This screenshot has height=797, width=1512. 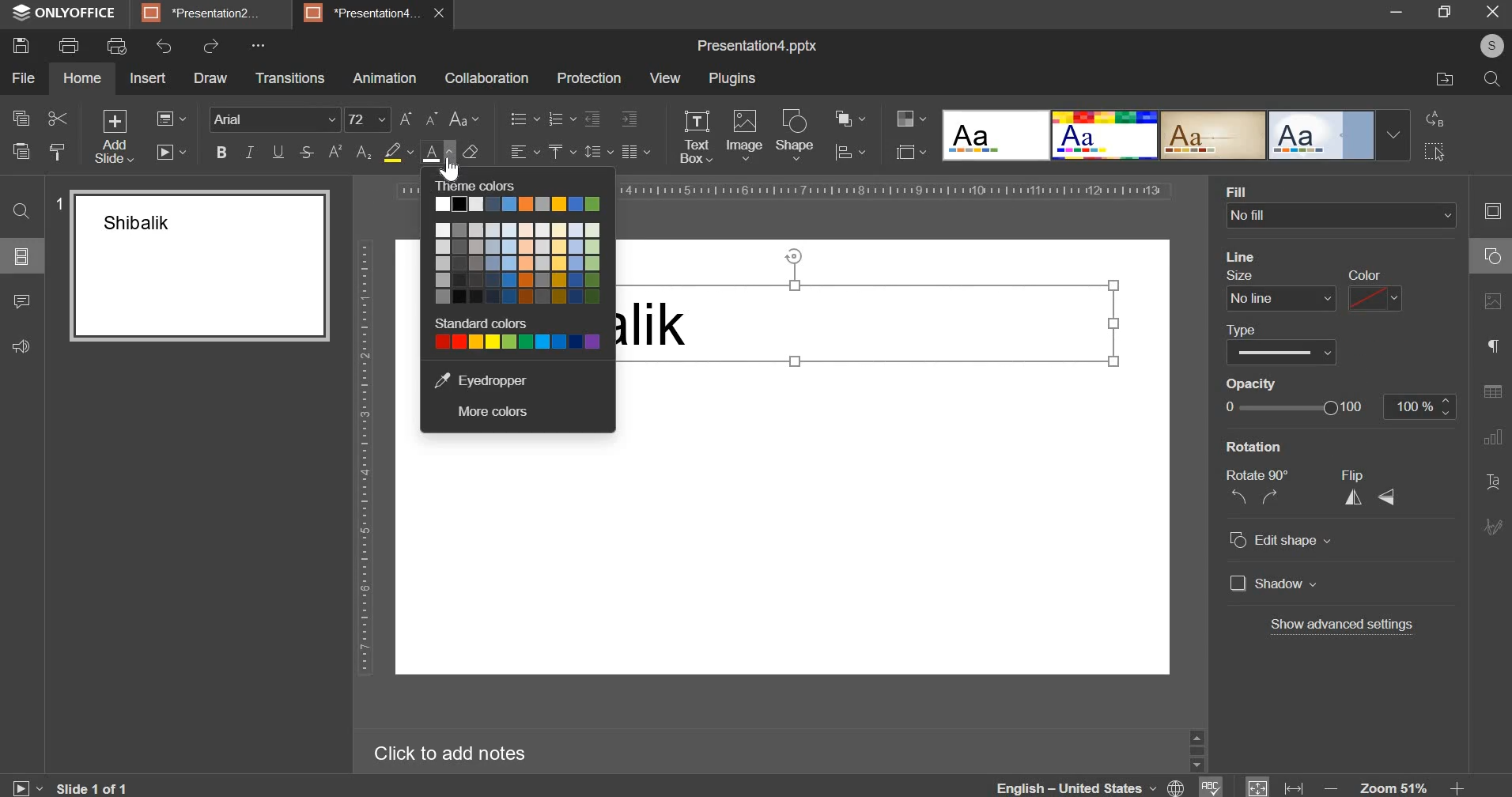 I want to click on more colors, so click(x=490, y=412).